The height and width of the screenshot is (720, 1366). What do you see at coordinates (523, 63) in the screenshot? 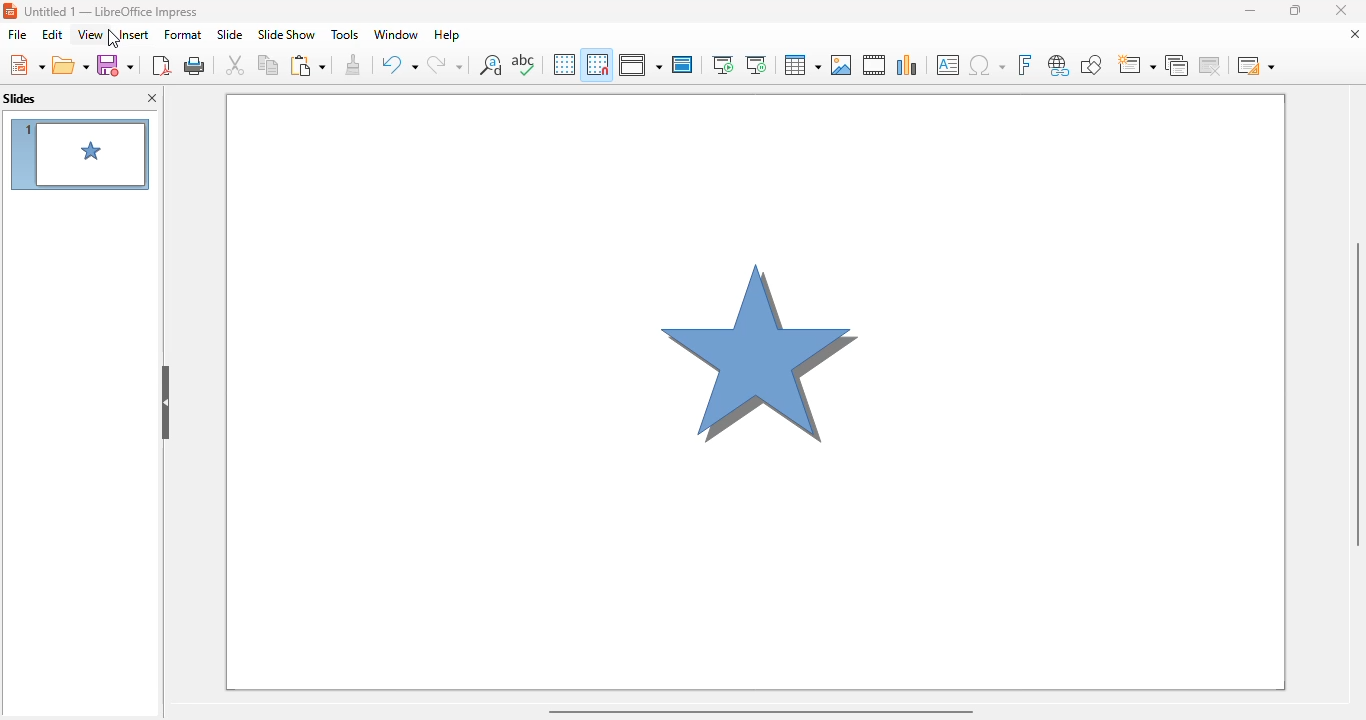
I see `spelling` at bounding box center [523, 63].